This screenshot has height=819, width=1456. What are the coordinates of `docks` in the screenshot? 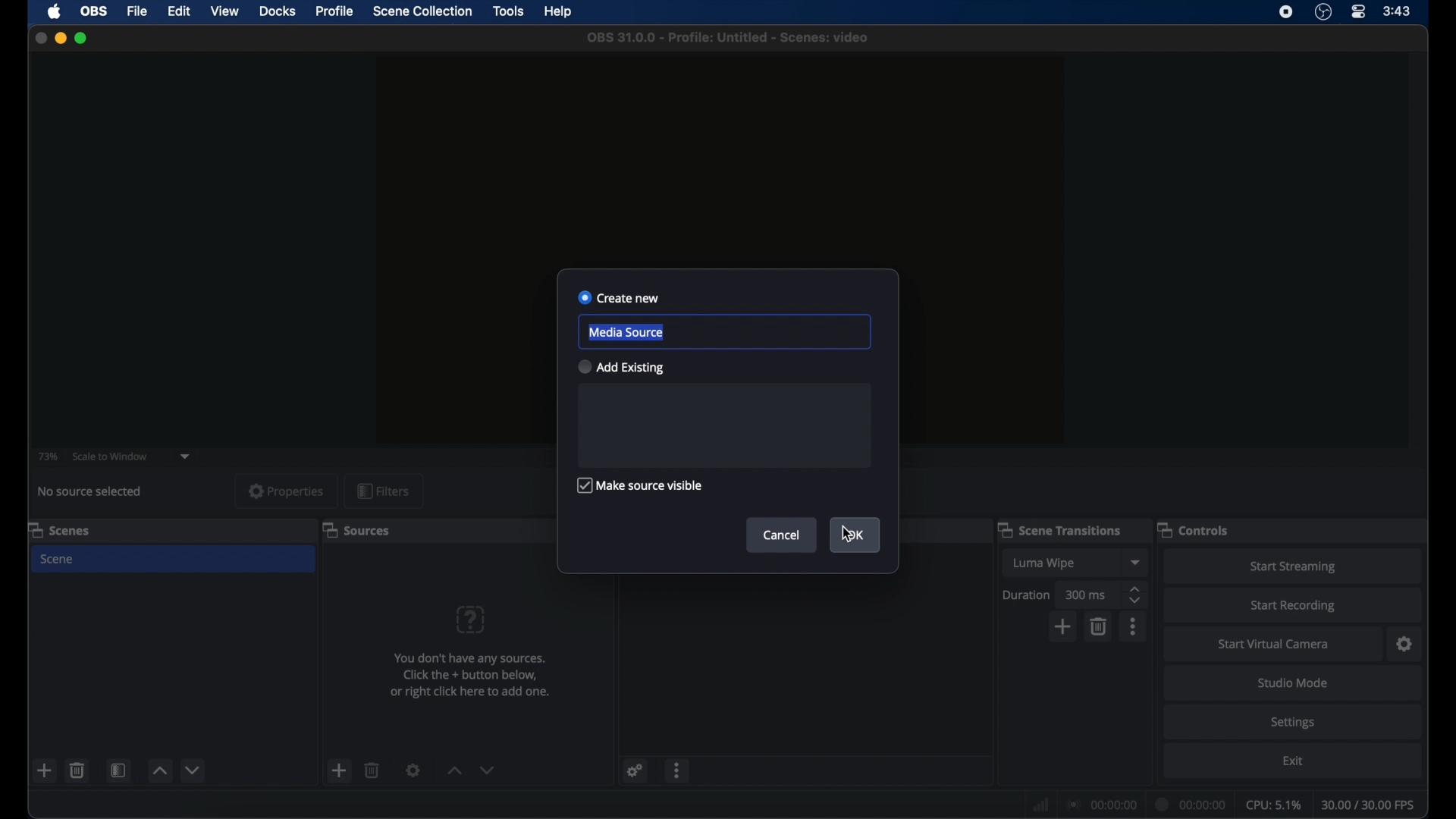 It's located at (278, 11).